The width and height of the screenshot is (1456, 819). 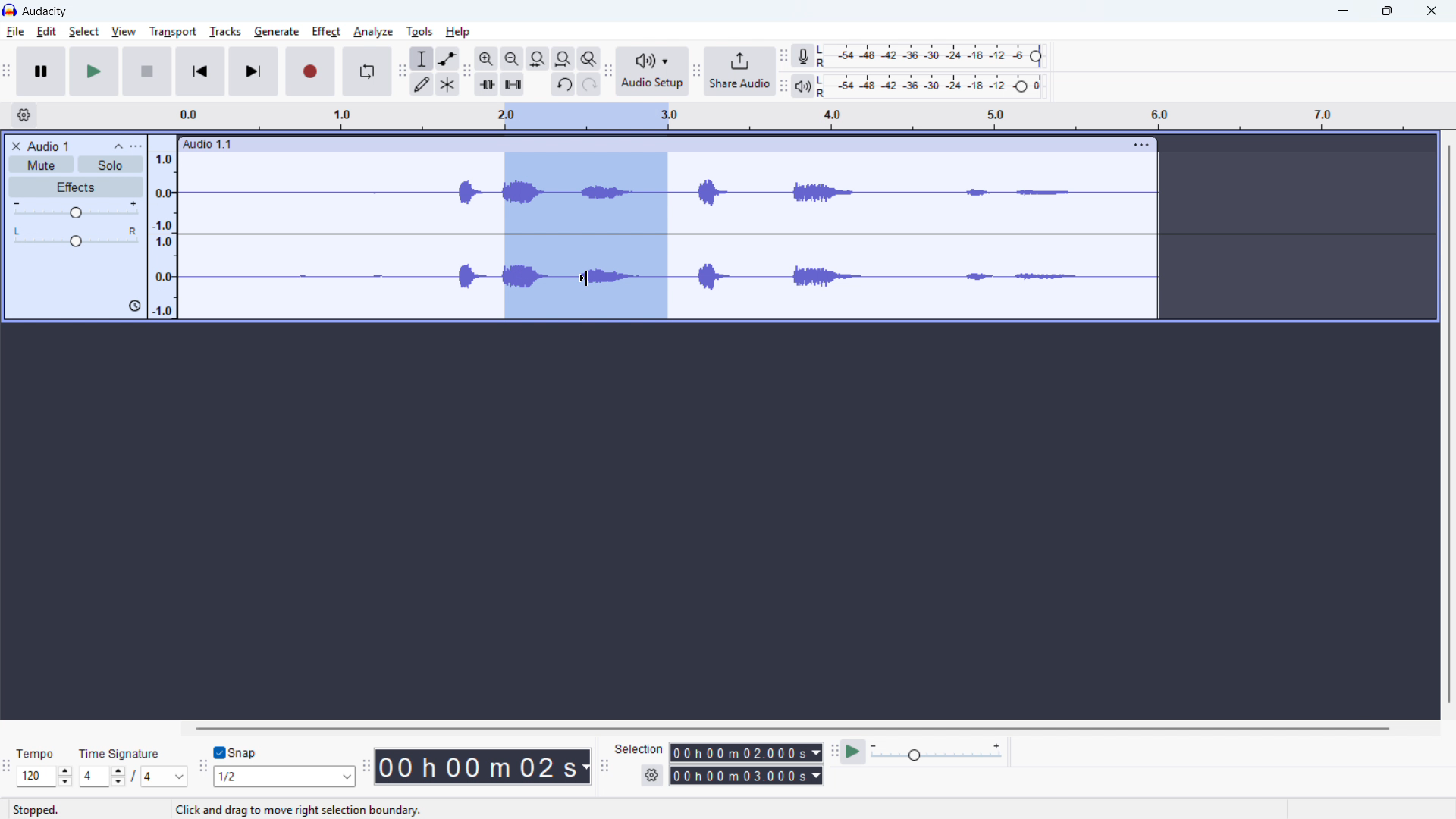 I want to click on Pause, so click(x=42, y=71).